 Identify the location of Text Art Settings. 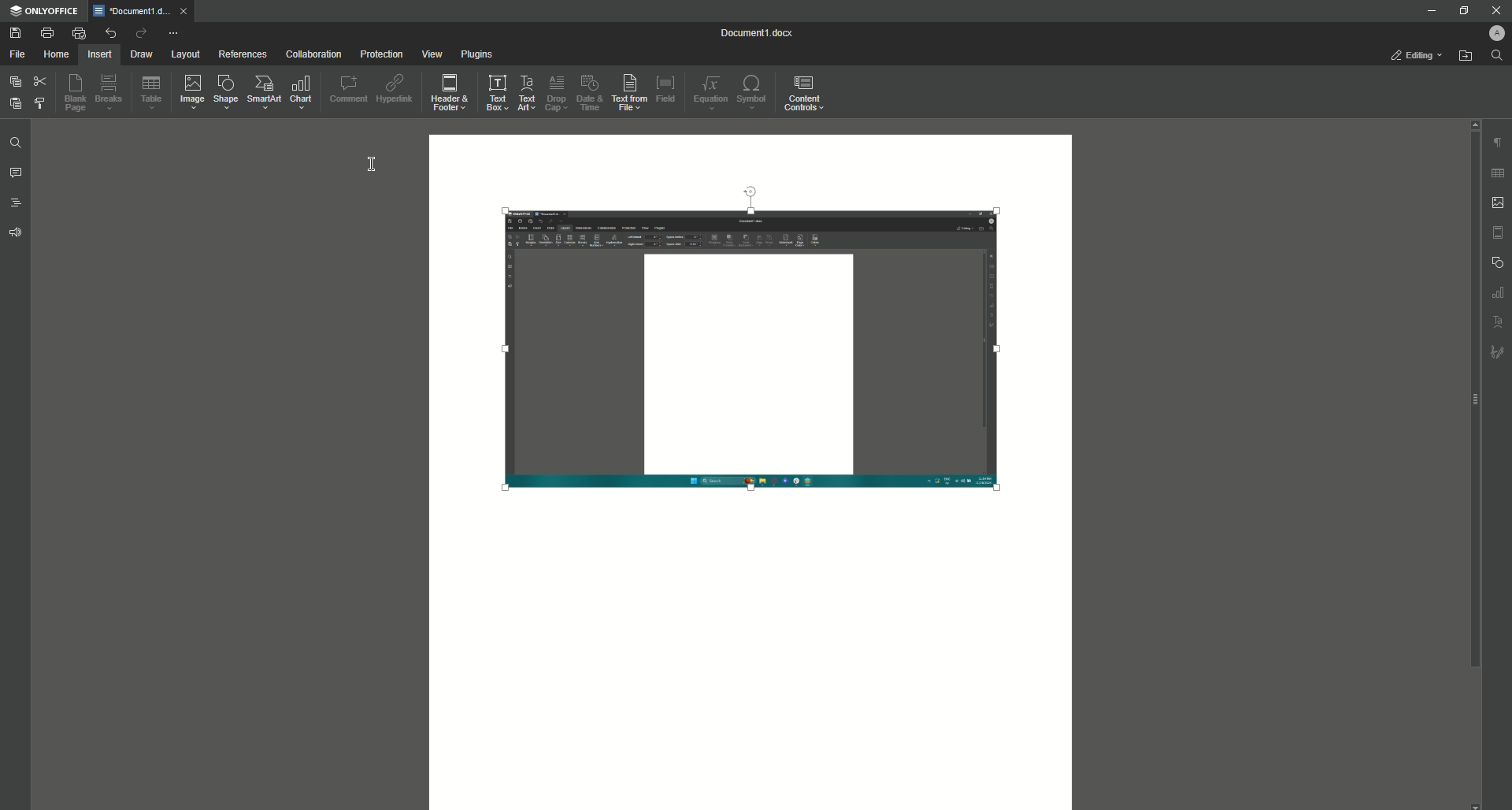
(1499, 323).